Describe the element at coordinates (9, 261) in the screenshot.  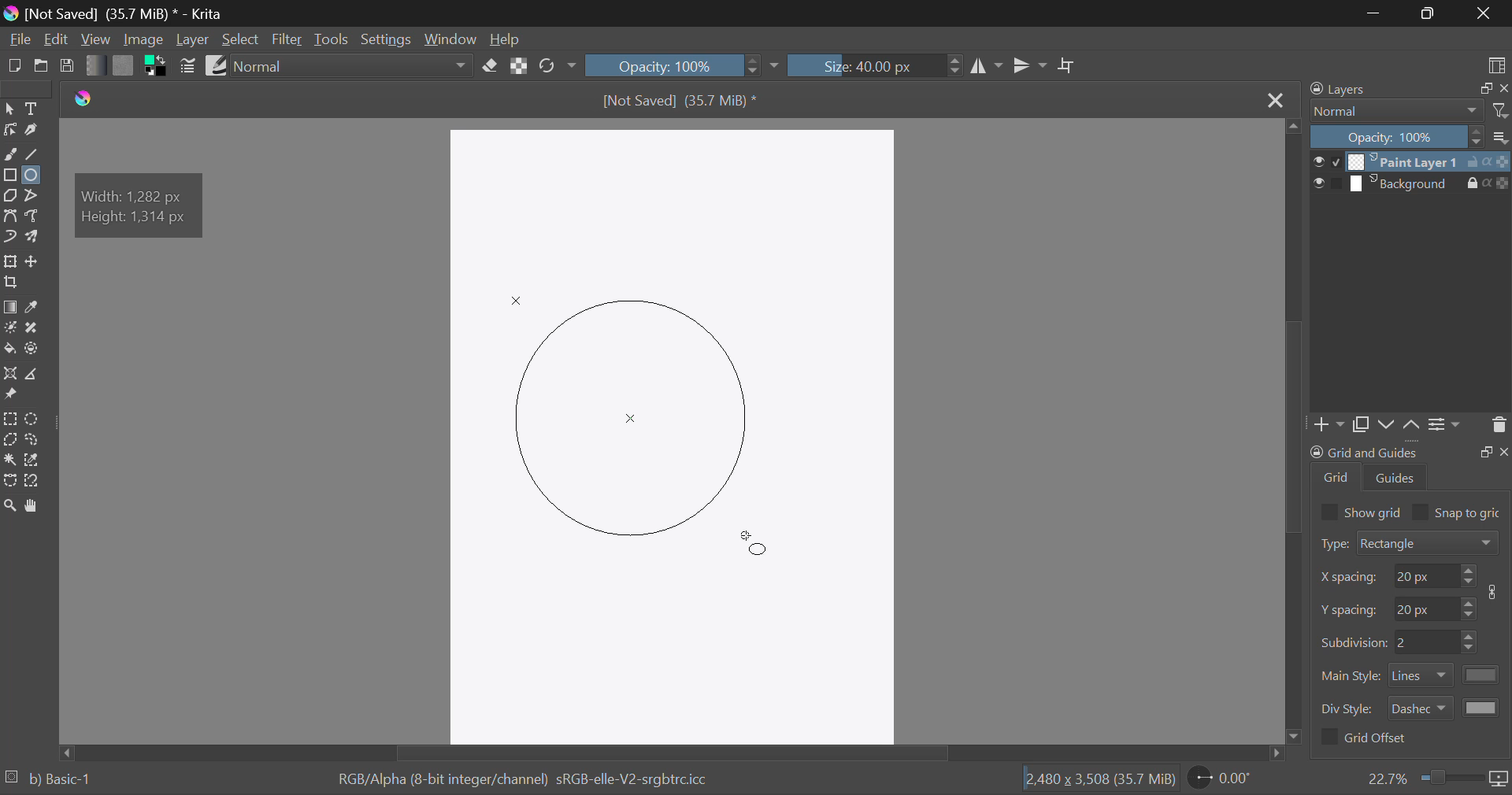
I see `Transform Layer` at that location.